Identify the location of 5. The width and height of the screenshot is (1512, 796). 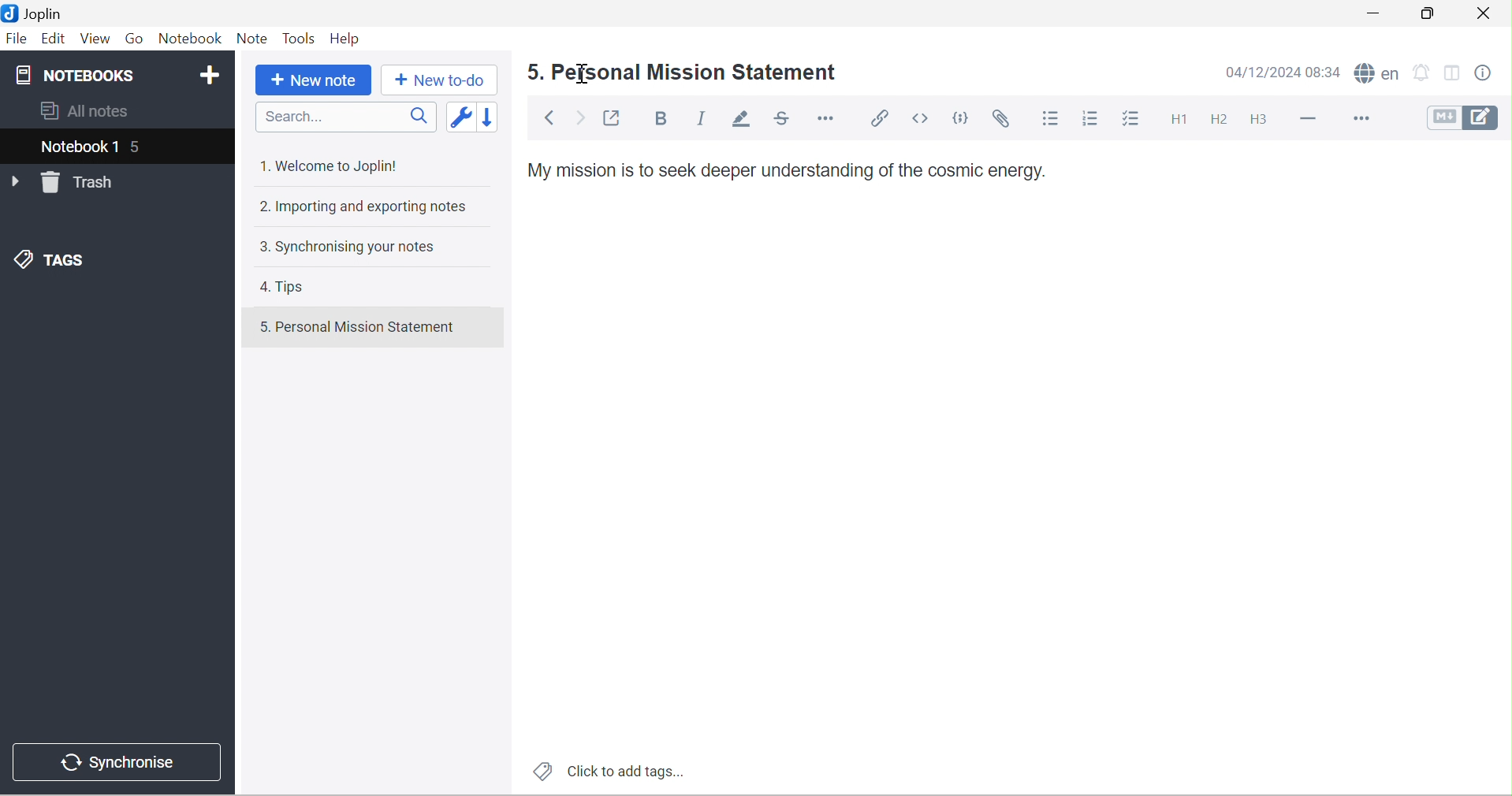
(137, 148).